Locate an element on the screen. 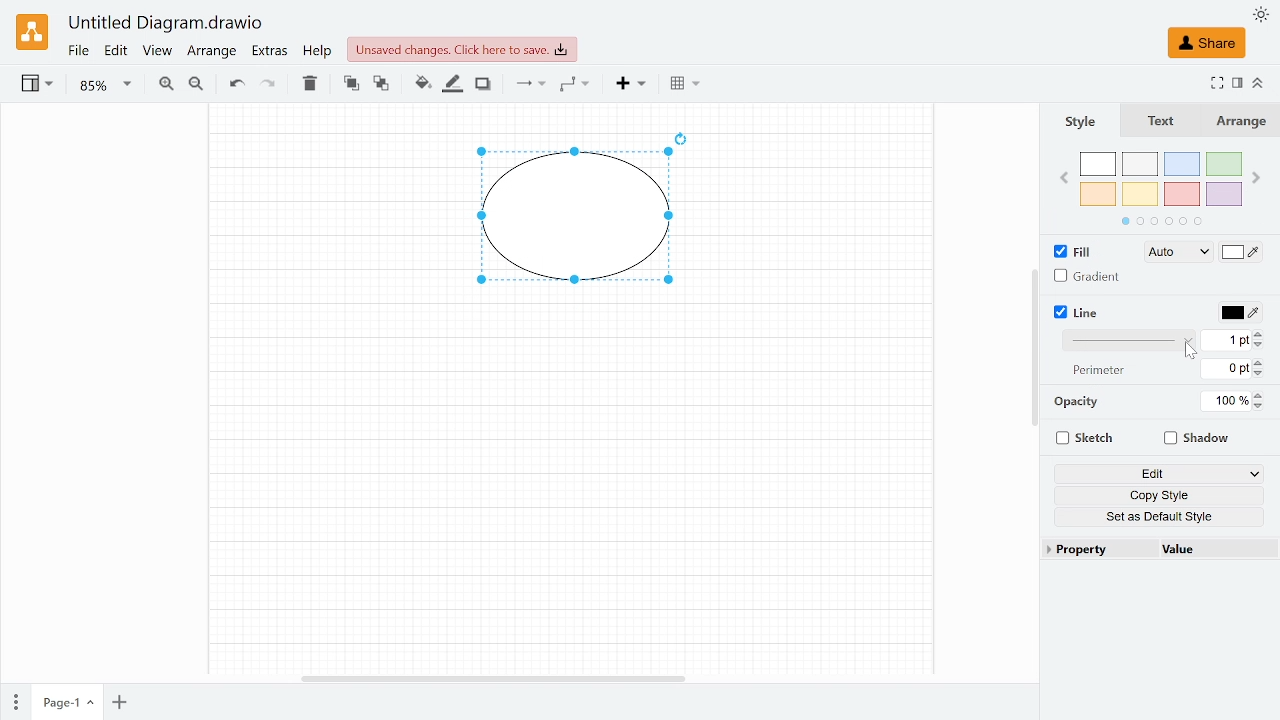 Image resolution: width=1280 pixels, height=720 pixels. Color pallet is located at coordinates (1162, 188).